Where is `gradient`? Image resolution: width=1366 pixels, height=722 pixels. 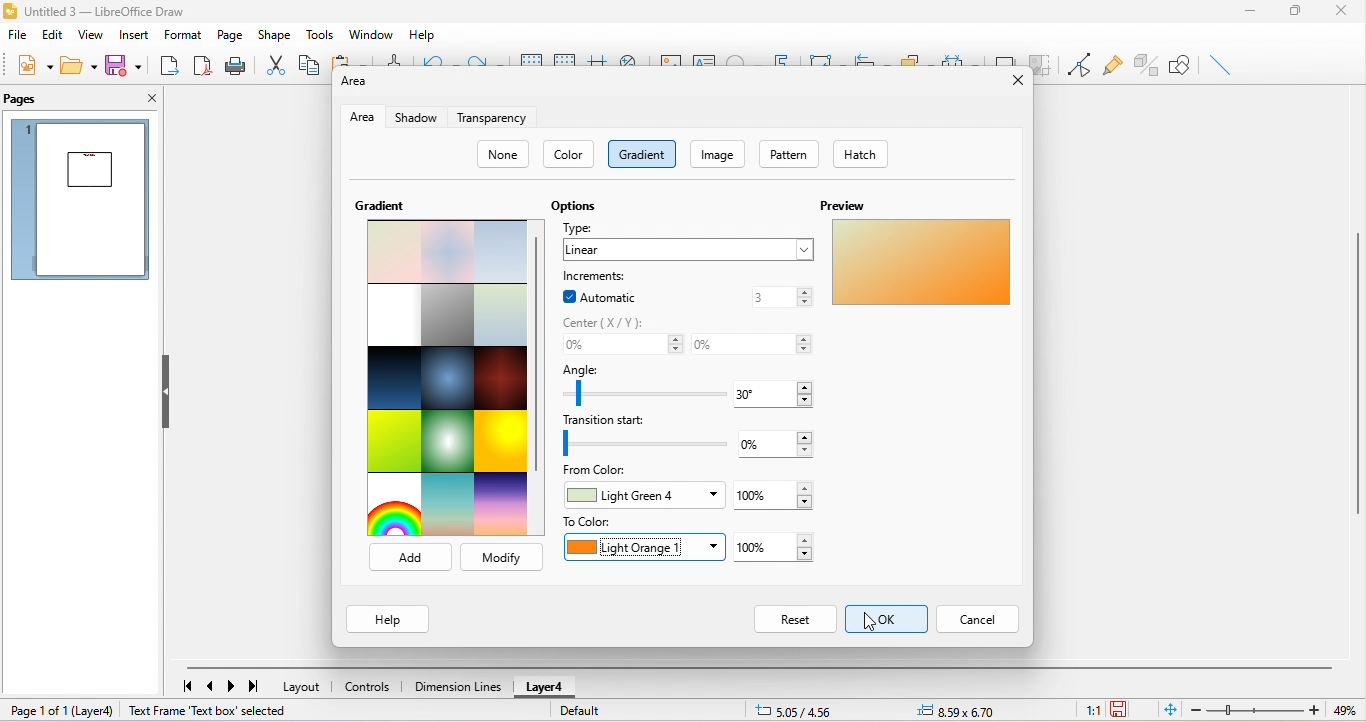
gradient is located at coordinates (642, 154).